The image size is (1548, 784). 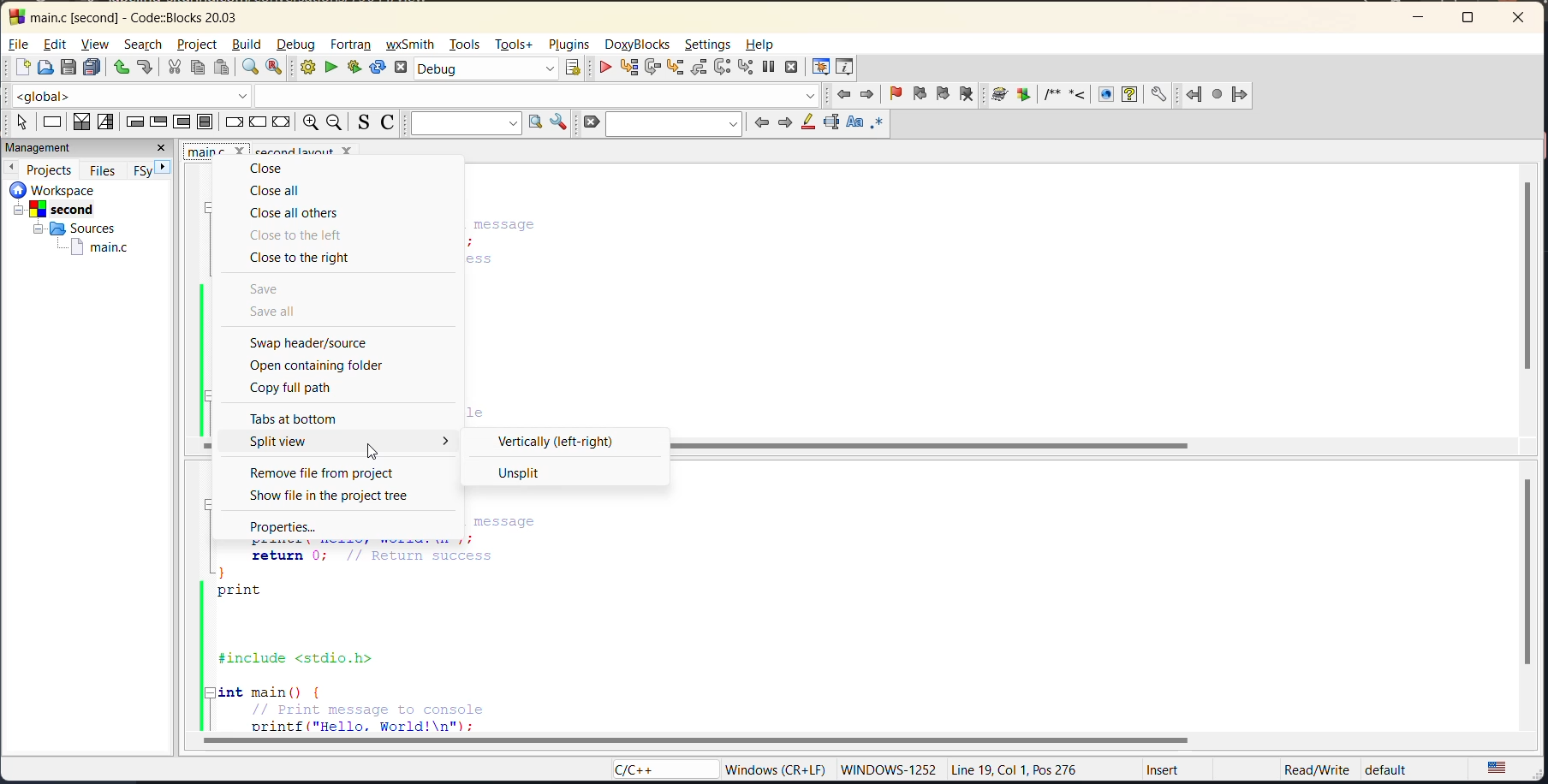 What do you see at coordinates (90, 68) in the screenshot?
I see `save everything` at bounding box center [90, 68].